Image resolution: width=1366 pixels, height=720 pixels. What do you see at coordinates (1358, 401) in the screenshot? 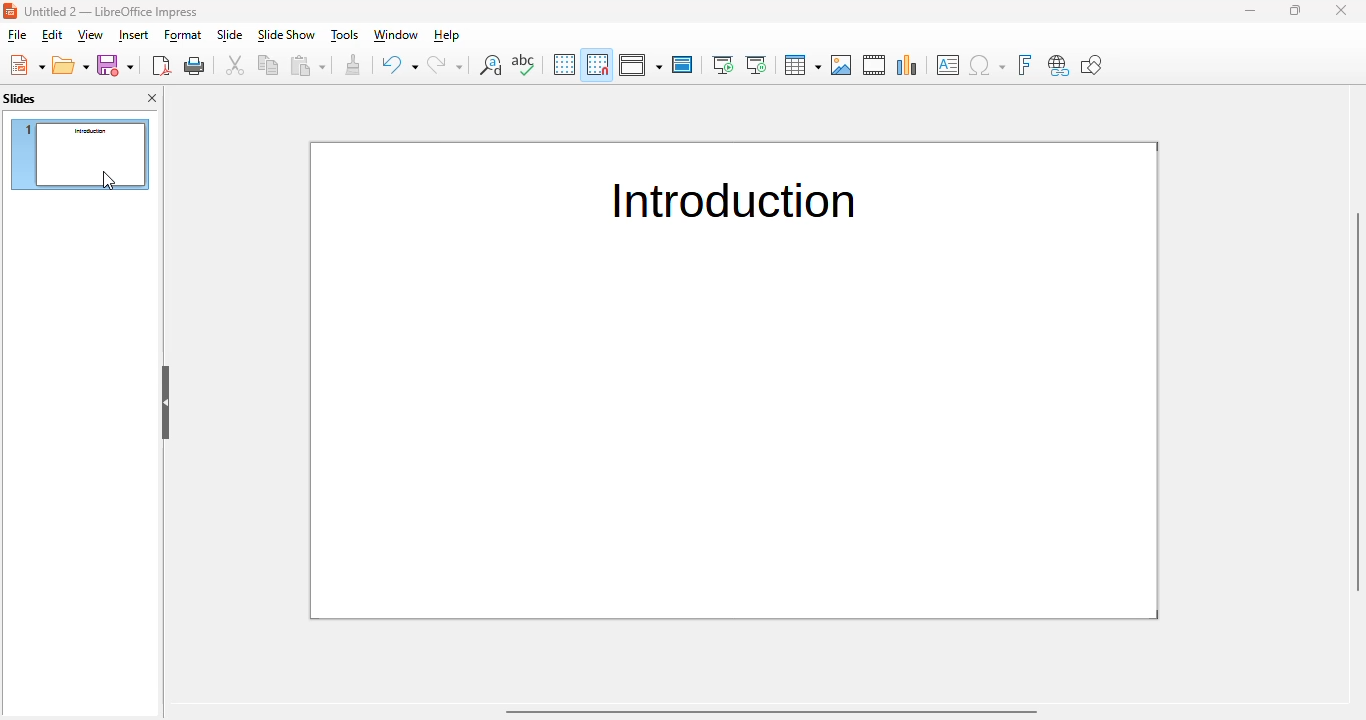
I see `vertical scroll bar` at bounding box center [1358, 401].